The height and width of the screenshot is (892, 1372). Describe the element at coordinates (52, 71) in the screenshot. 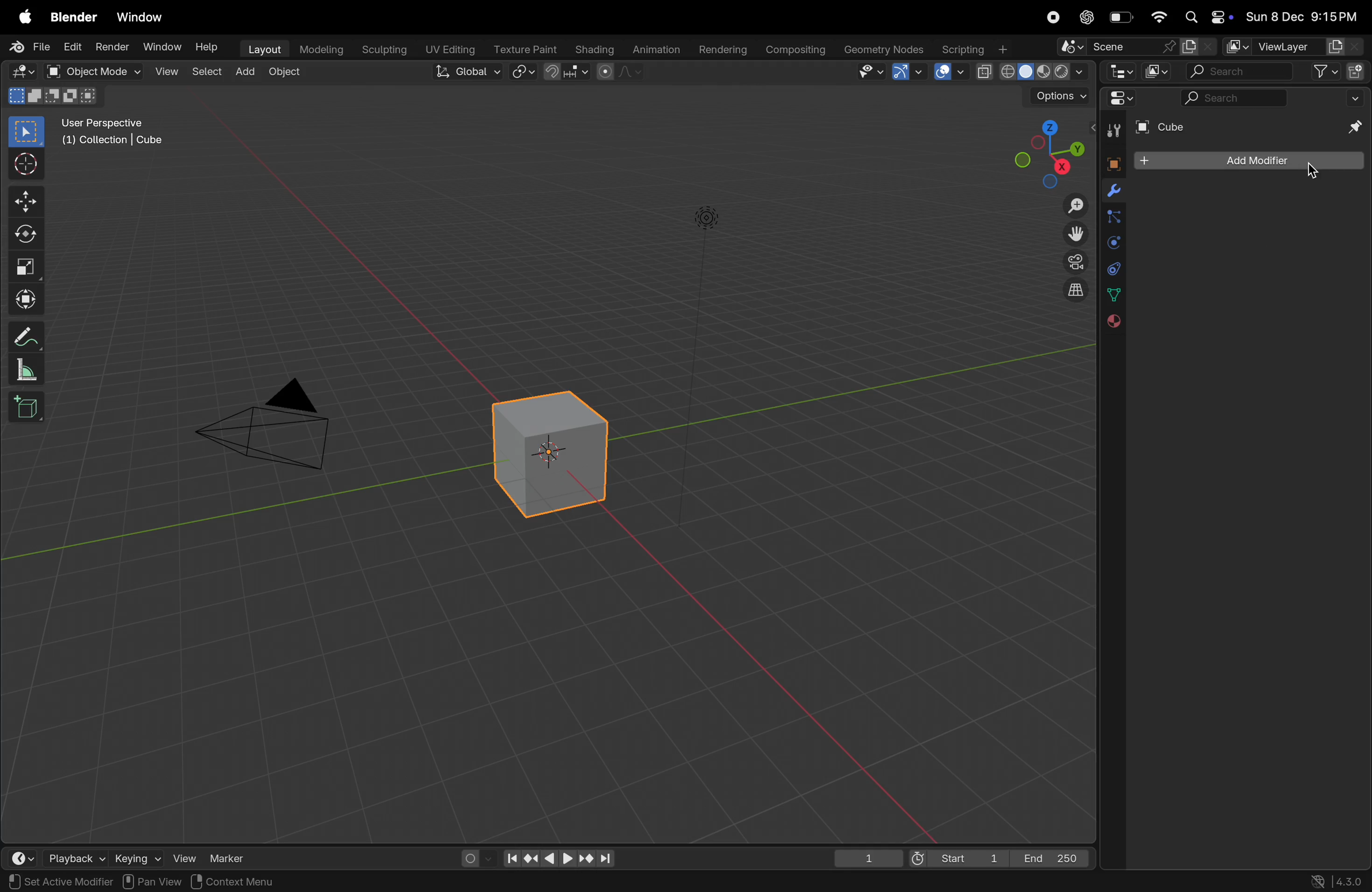

I see `open` at that location.